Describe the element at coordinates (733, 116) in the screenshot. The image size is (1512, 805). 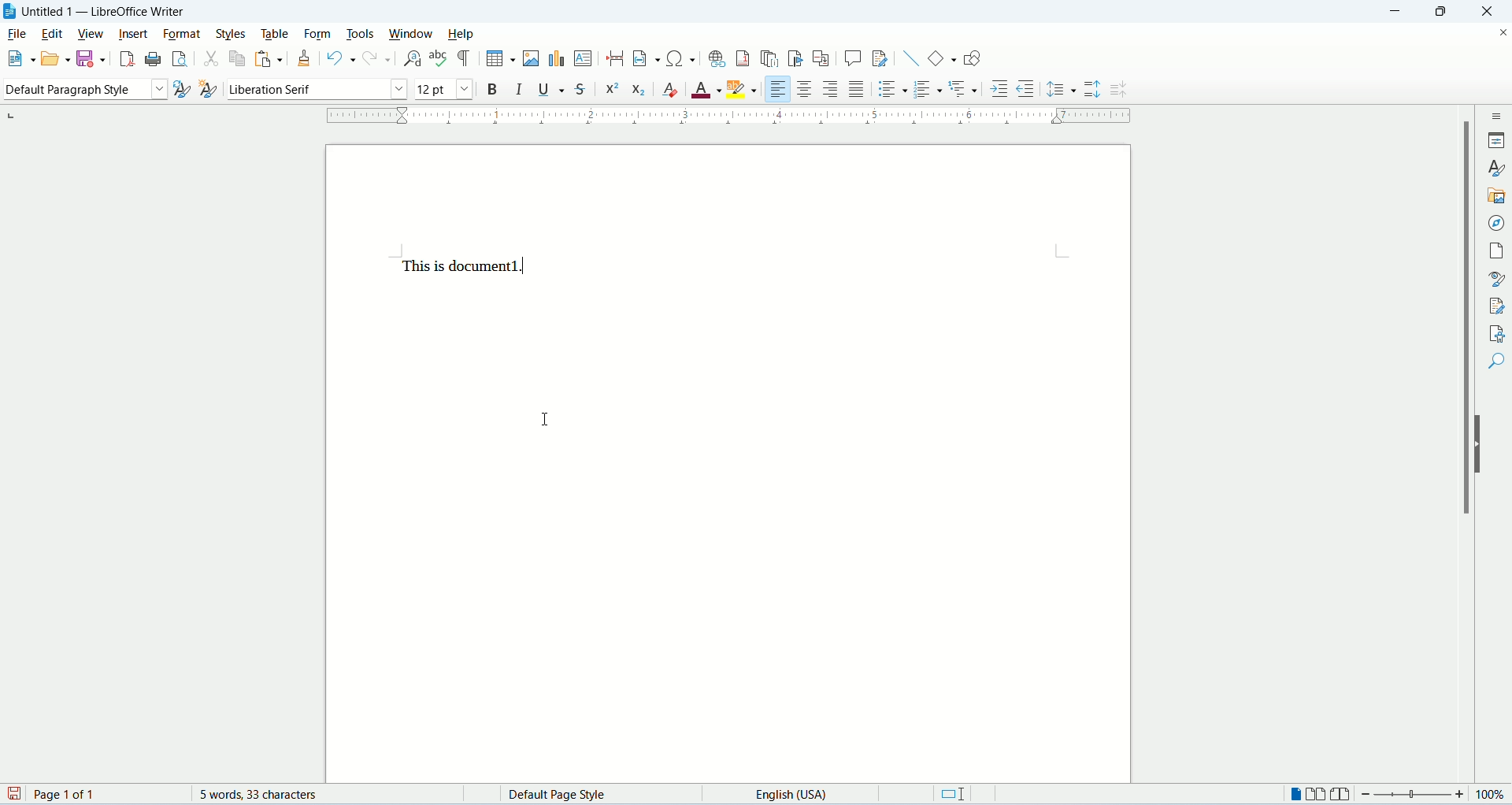
I see `ruler` at that location.